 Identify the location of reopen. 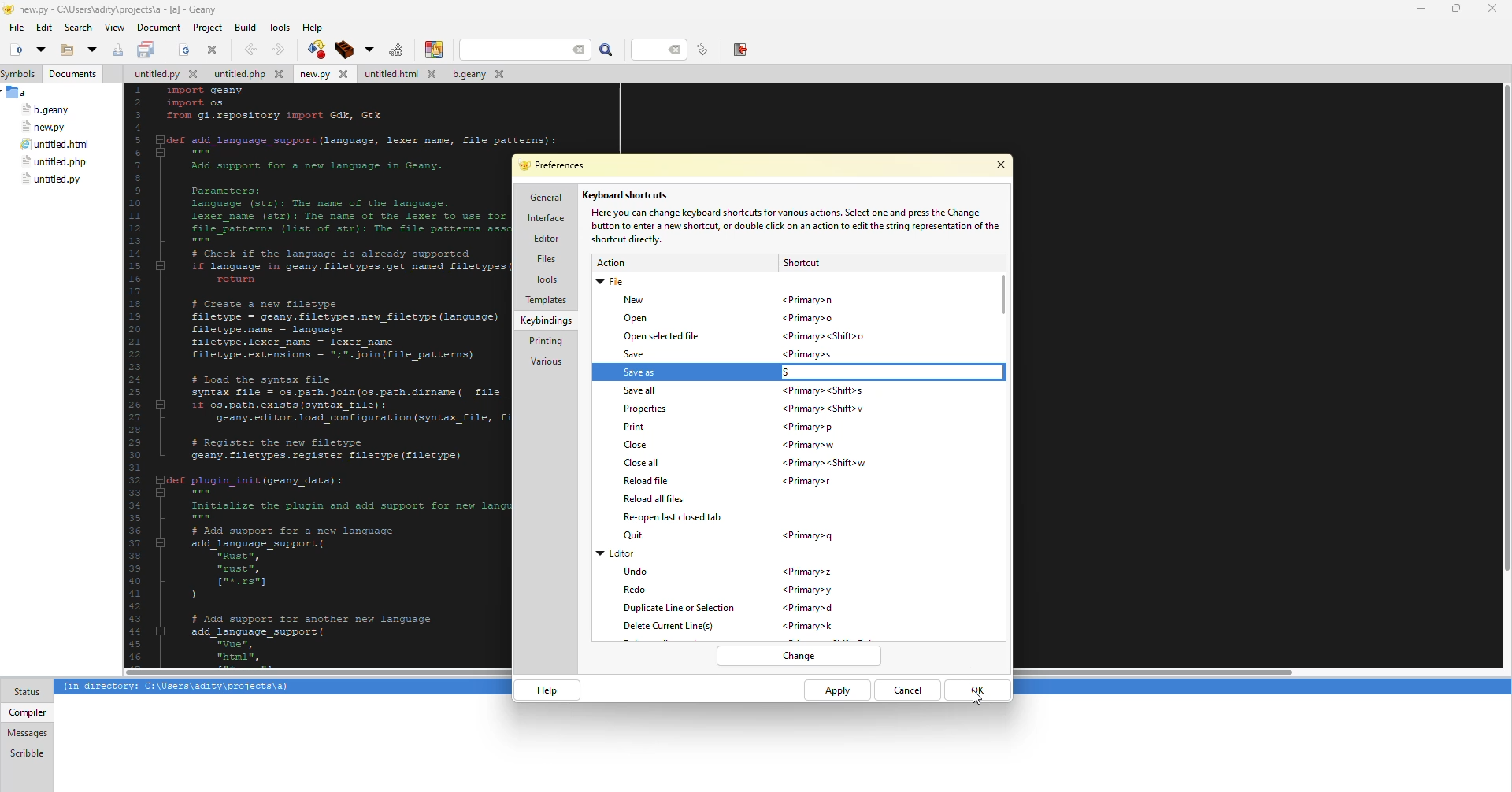
(674, 518).